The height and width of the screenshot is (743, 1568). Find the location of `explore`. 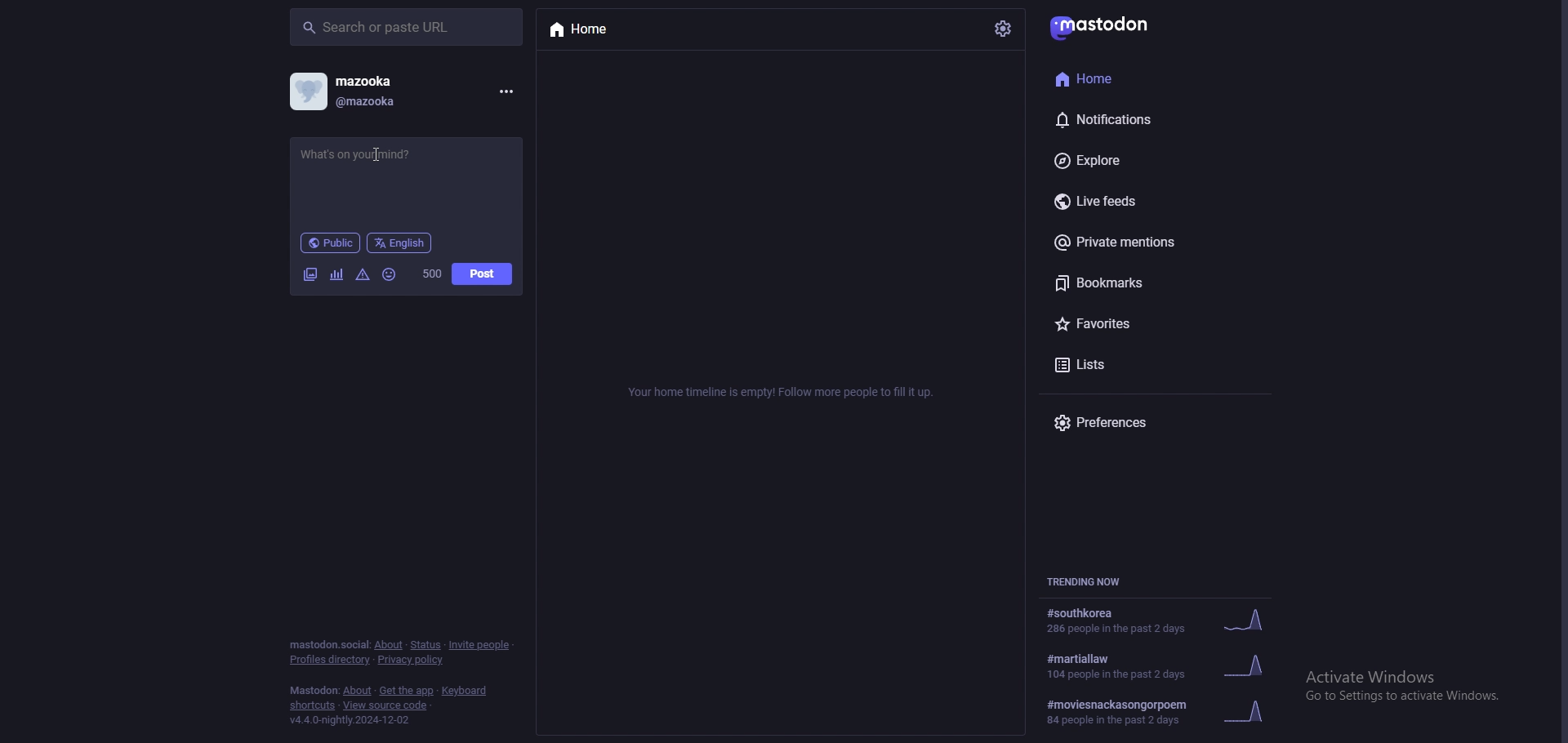

explore is located at coordinates (1149, 160).